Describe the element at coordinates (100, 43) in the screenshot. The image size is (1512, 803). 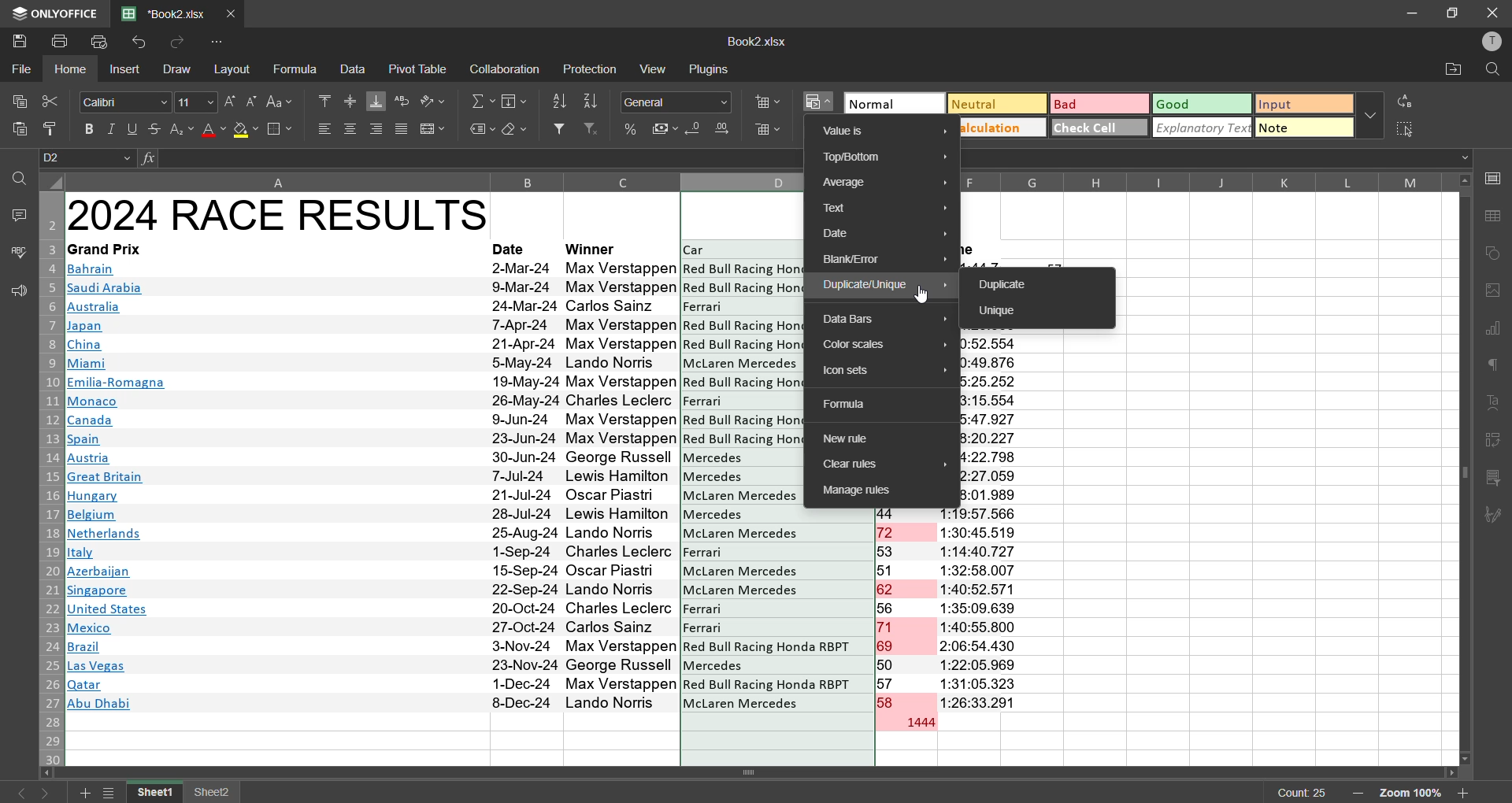
I see `quick print` at that location.